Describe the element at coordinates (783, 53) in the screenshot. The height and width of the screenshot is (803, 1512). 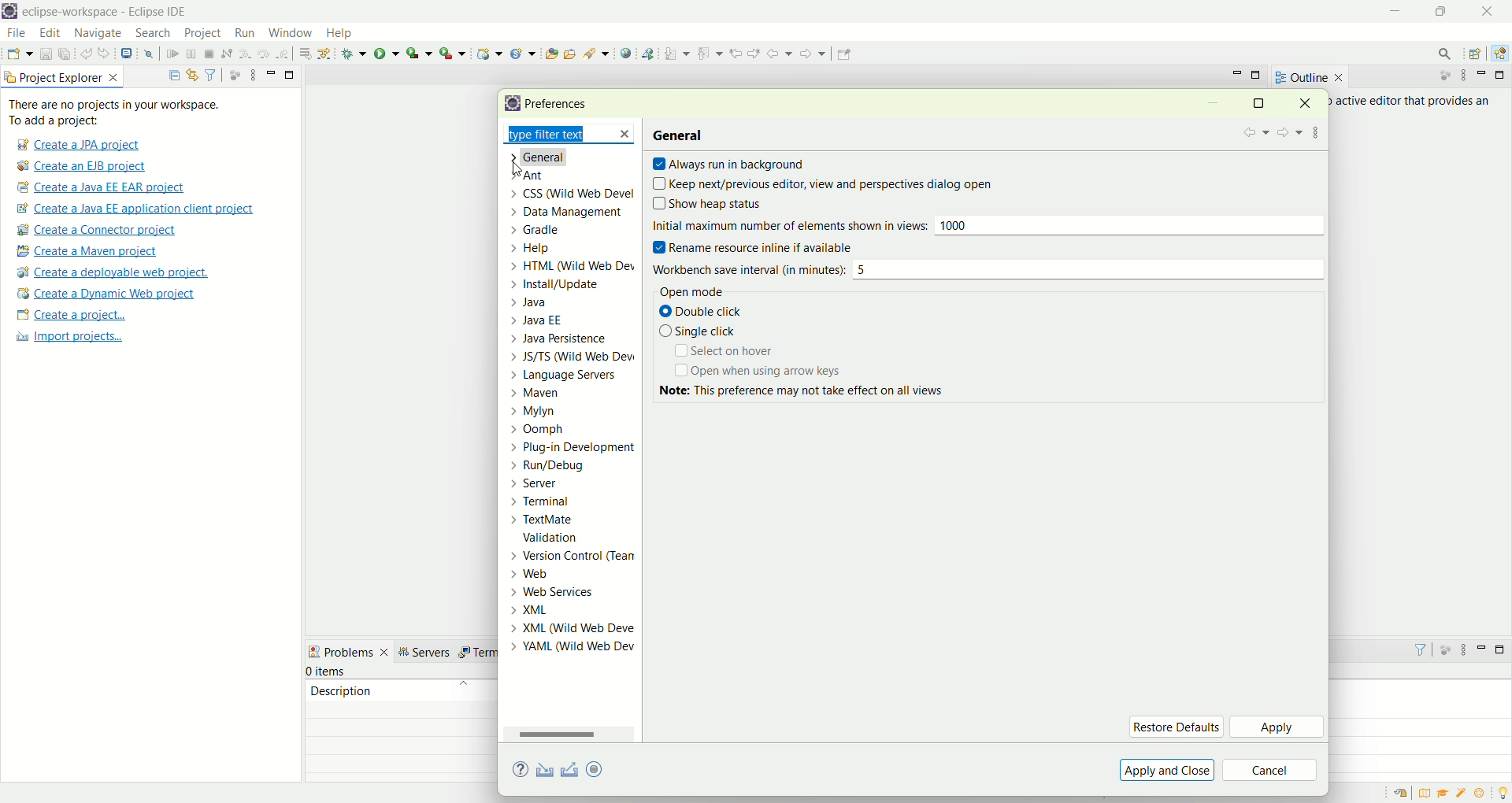
I see `back` at that location.